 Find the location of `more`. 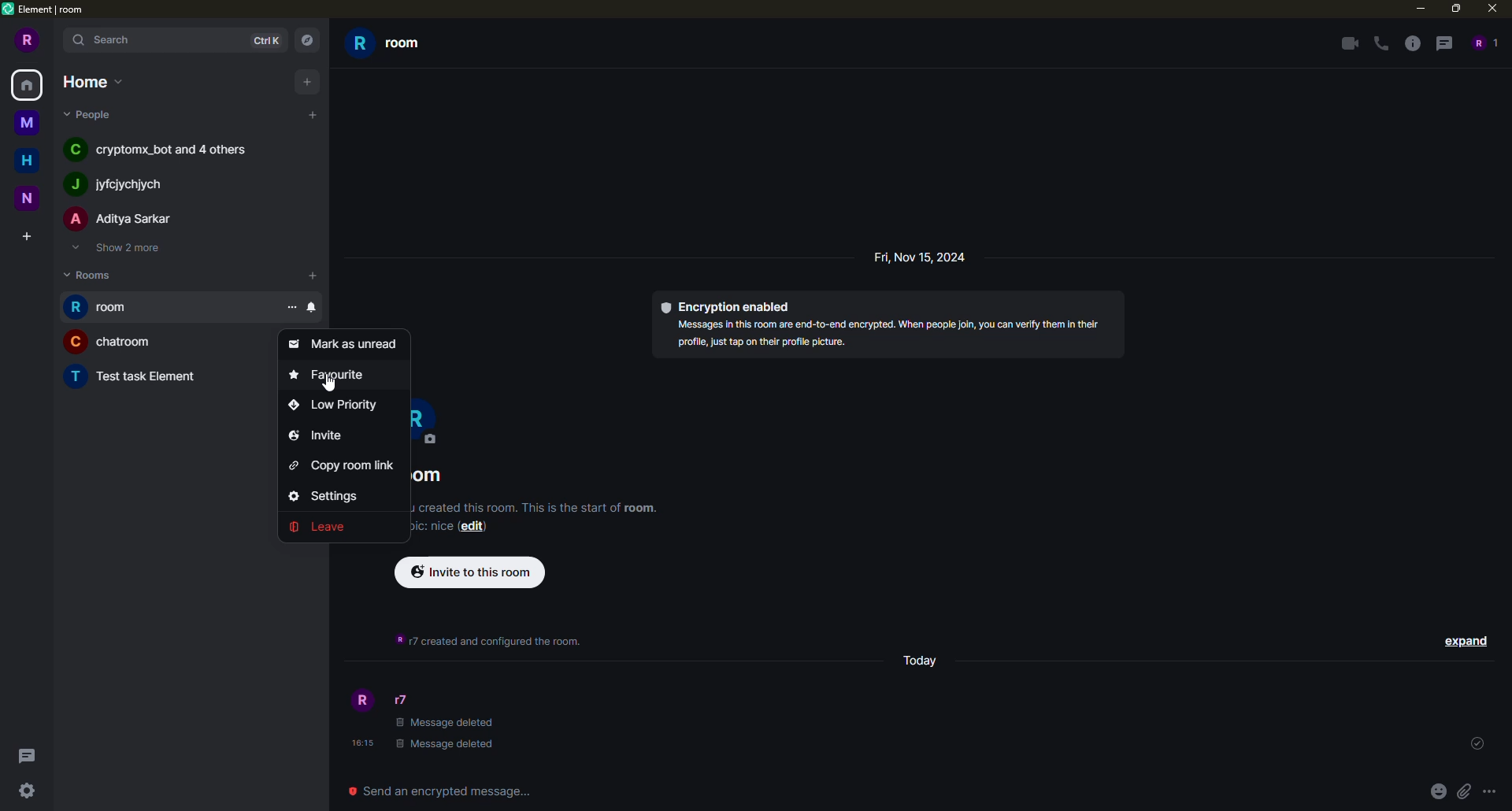

more is located at coordinates (1489, 791).